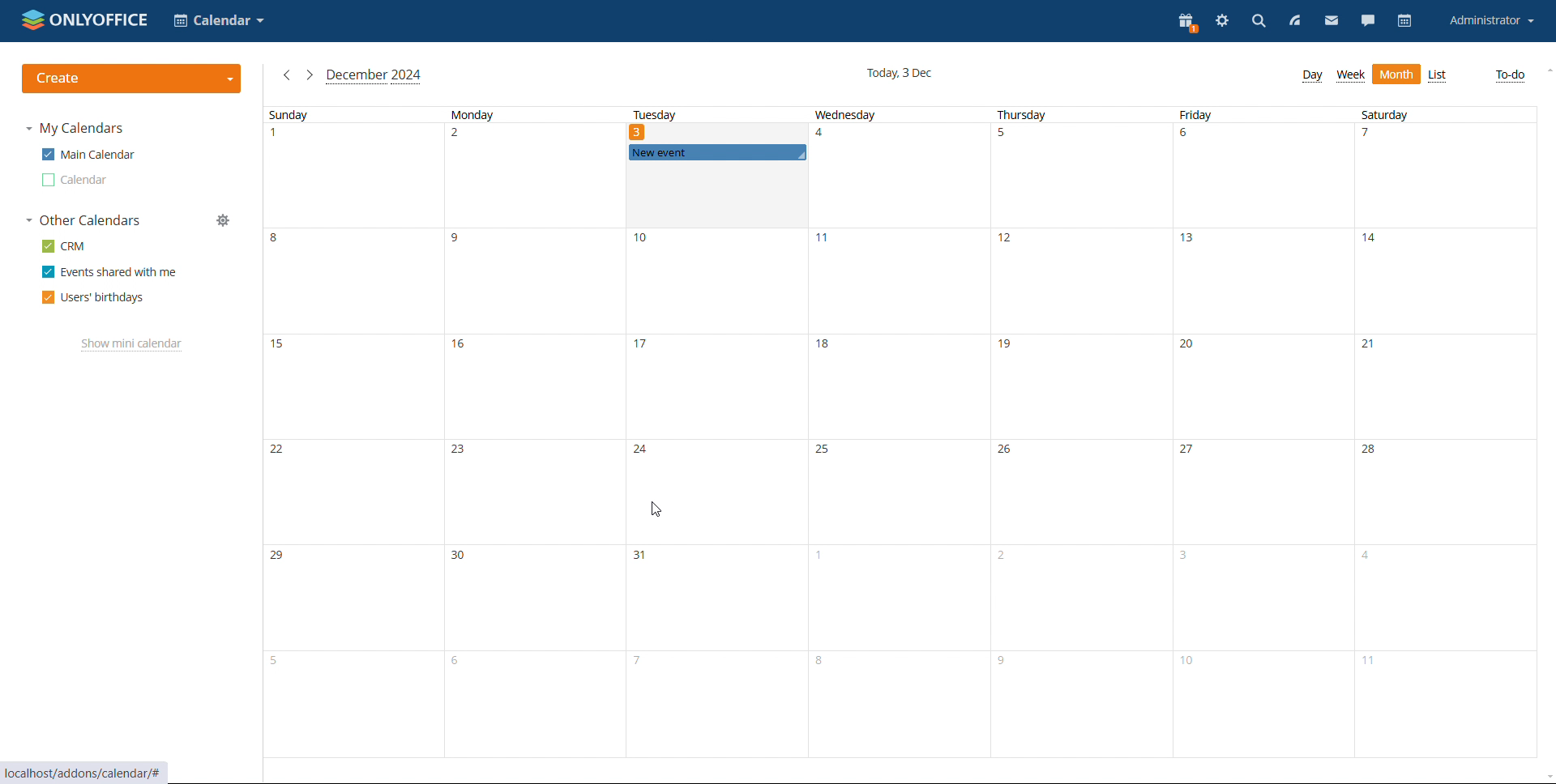 Image resolution: width=1556 pixels, height=784 pixels. I want to click on date, so click(351, 705).